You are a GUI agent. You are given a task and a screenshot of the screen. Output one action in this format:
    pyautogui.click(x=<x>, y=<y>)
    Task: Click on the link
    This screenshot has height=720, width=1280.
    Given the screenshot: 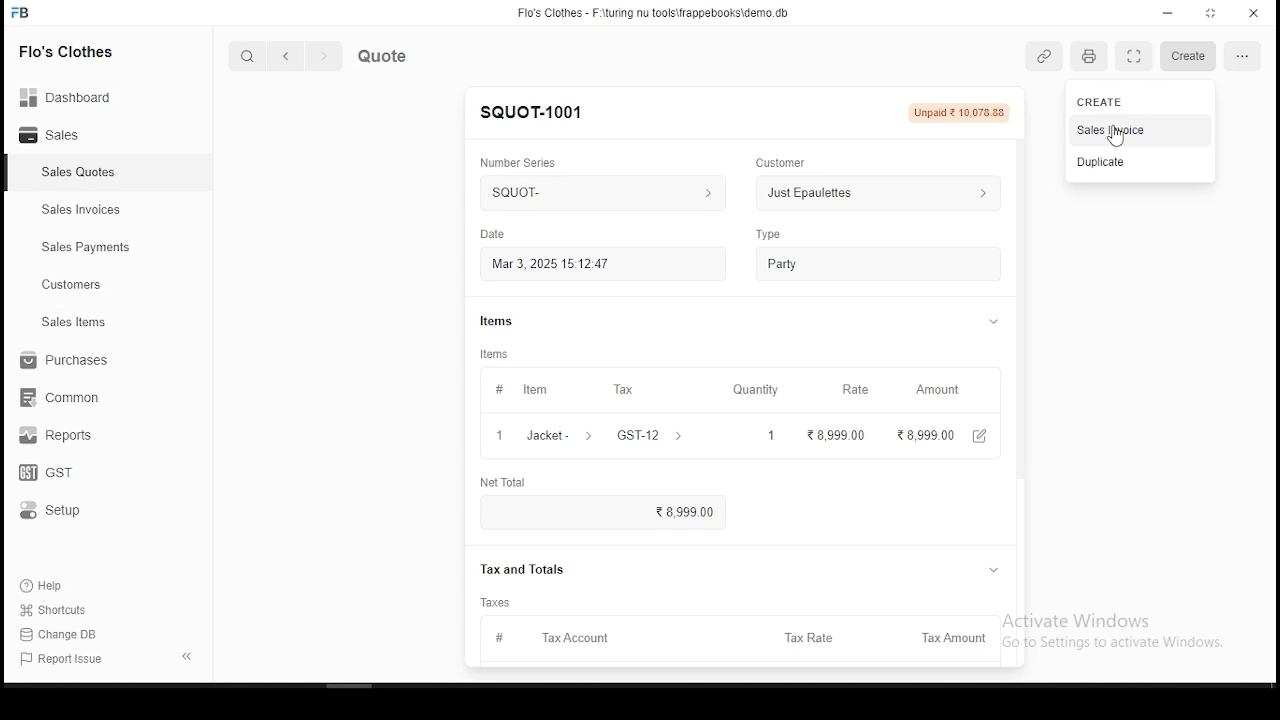 What is the action you would take?
    pyautogui.click(x=1046, y=57)
    